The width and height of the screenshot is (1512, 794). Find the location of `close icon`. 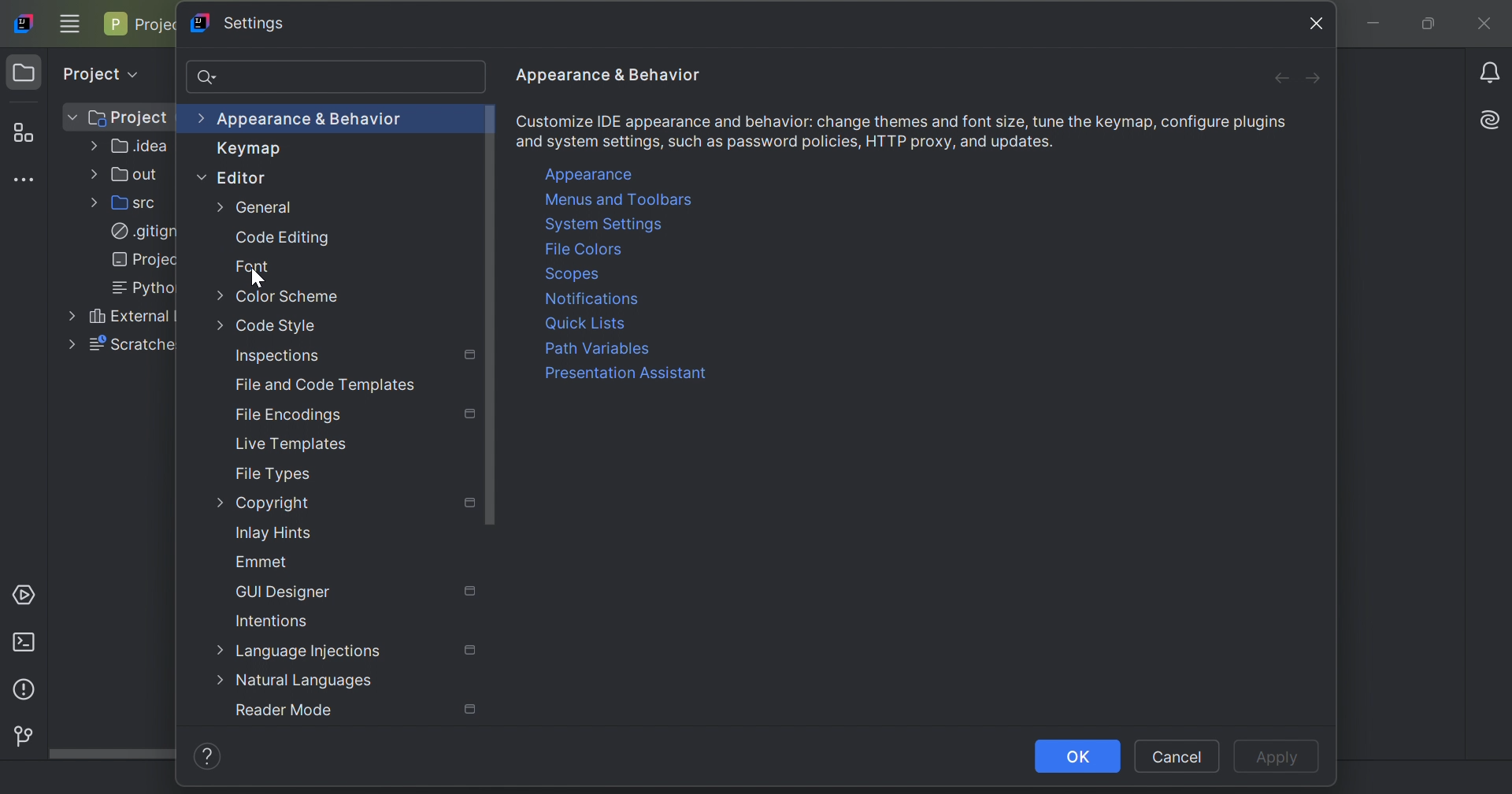

close icon is located at coordinates (1312, 22).